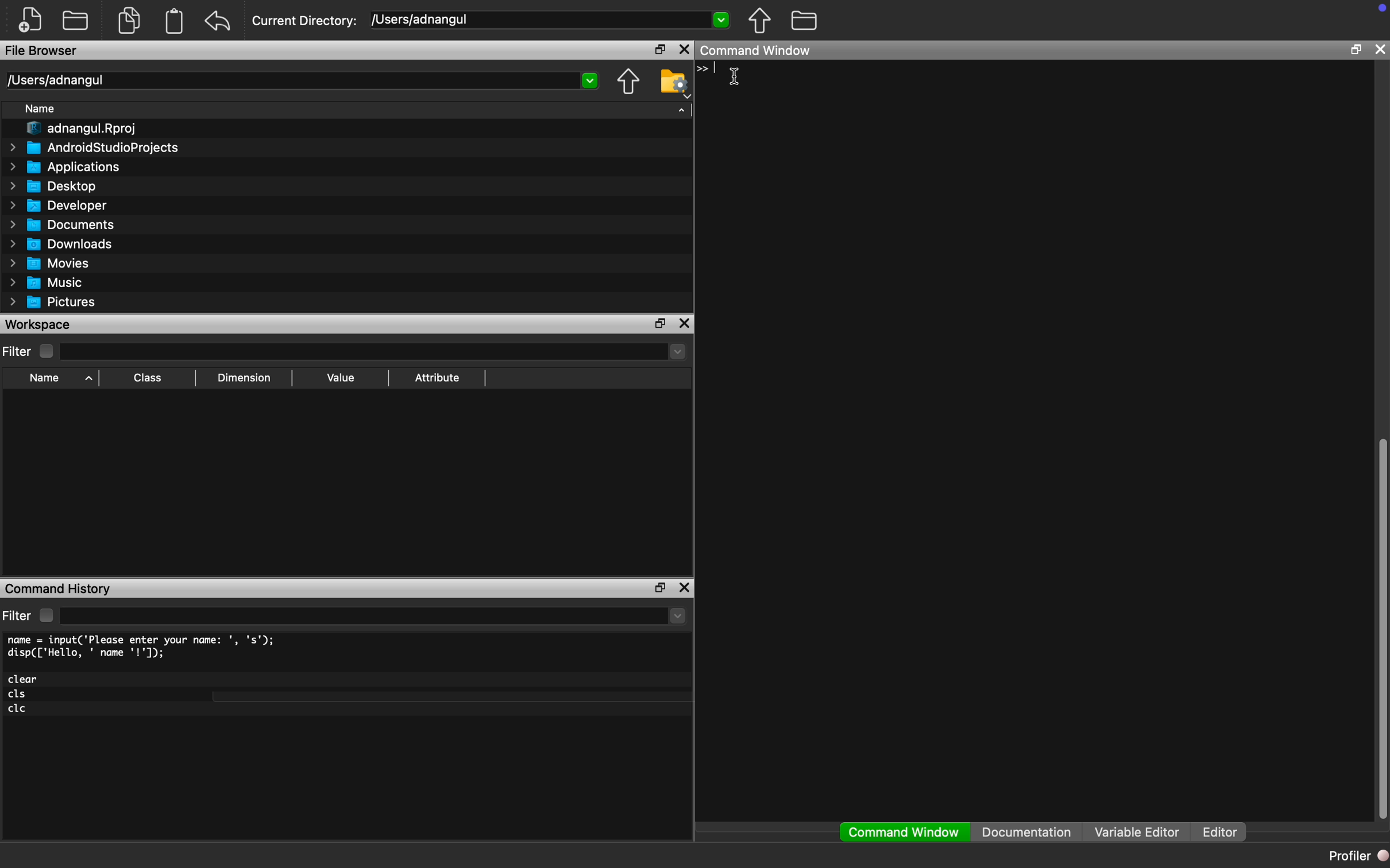 The width and height of the screenshot is (1390, 868). Describe the element at coordinates (41, 108) in the screenshot. I see `Name` at that location.